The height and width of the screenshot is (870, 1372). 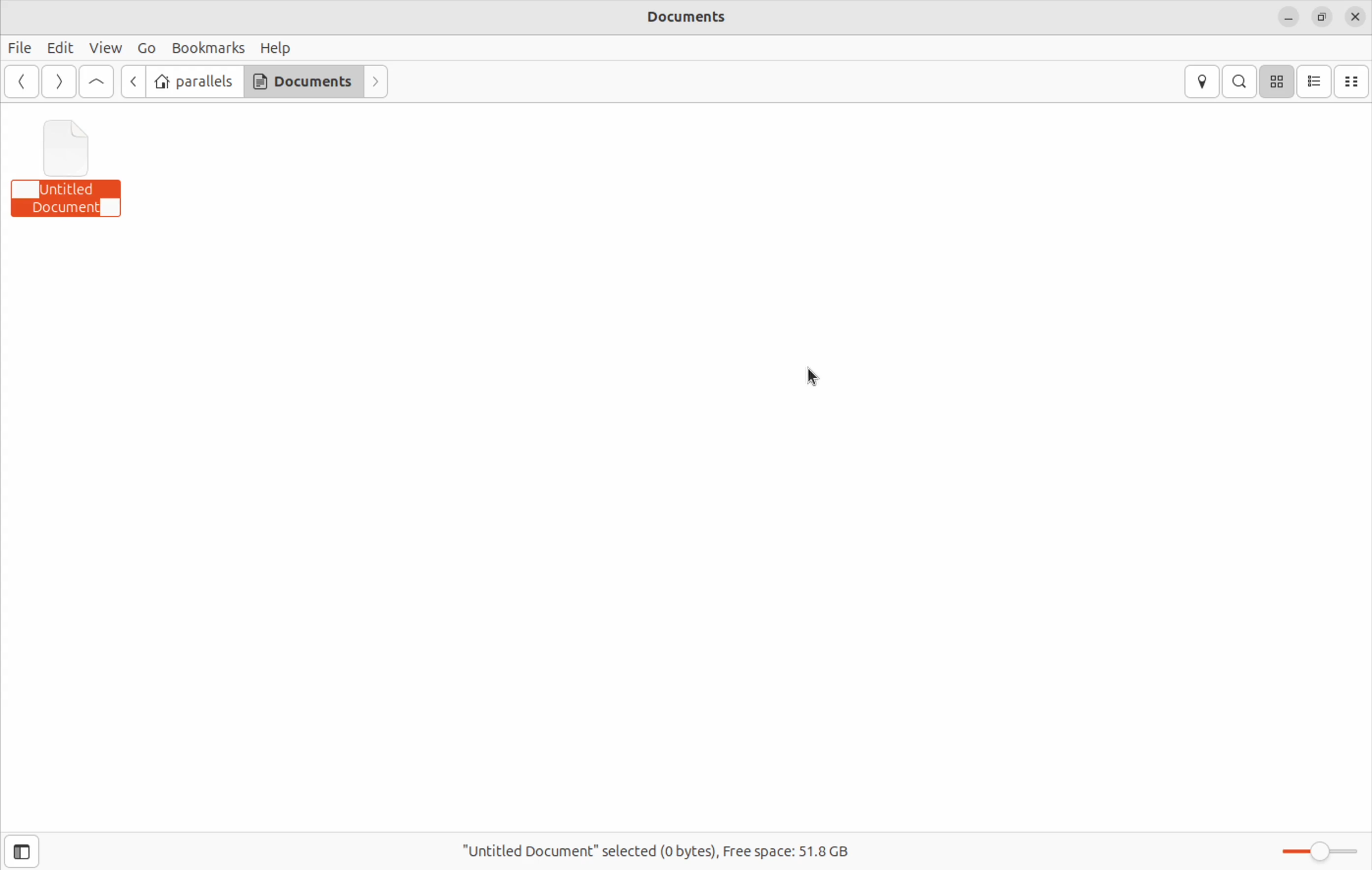 What do you see at coordinates (77, 171) in the screenshot?
I see `untitled document` at bounding box center [77, 171].